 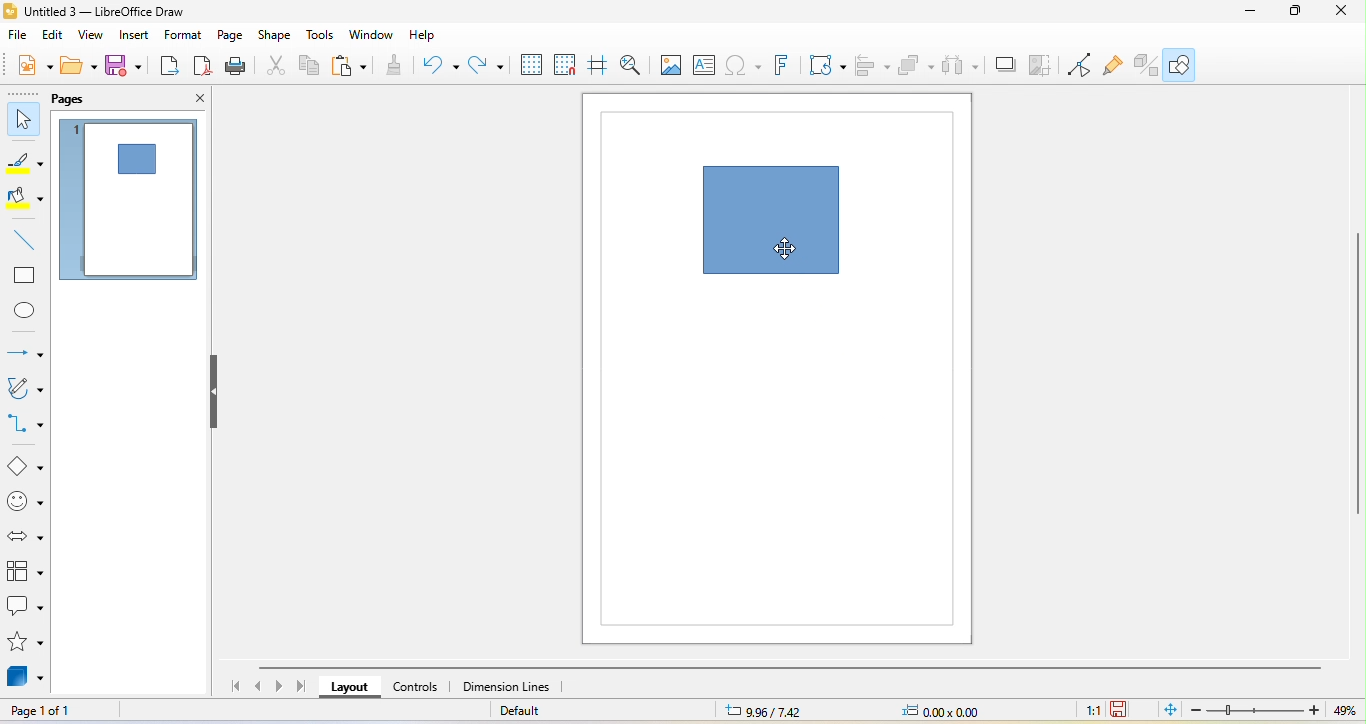 What do you see at coordinates (299, 687) in the screenshot?
I see `last page` at bounding box center [299, 687].